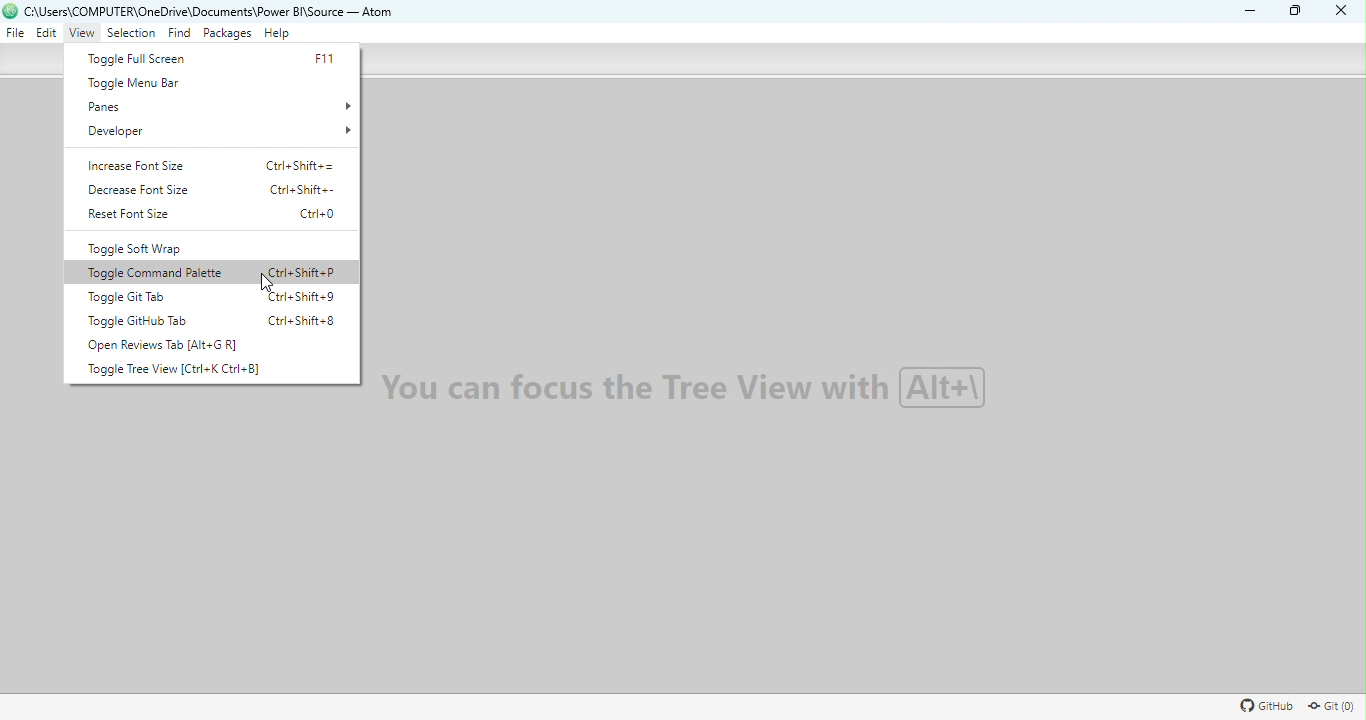  Describe the element at coordinates (278, 34) in the screenshot. I see `Help` at that location.